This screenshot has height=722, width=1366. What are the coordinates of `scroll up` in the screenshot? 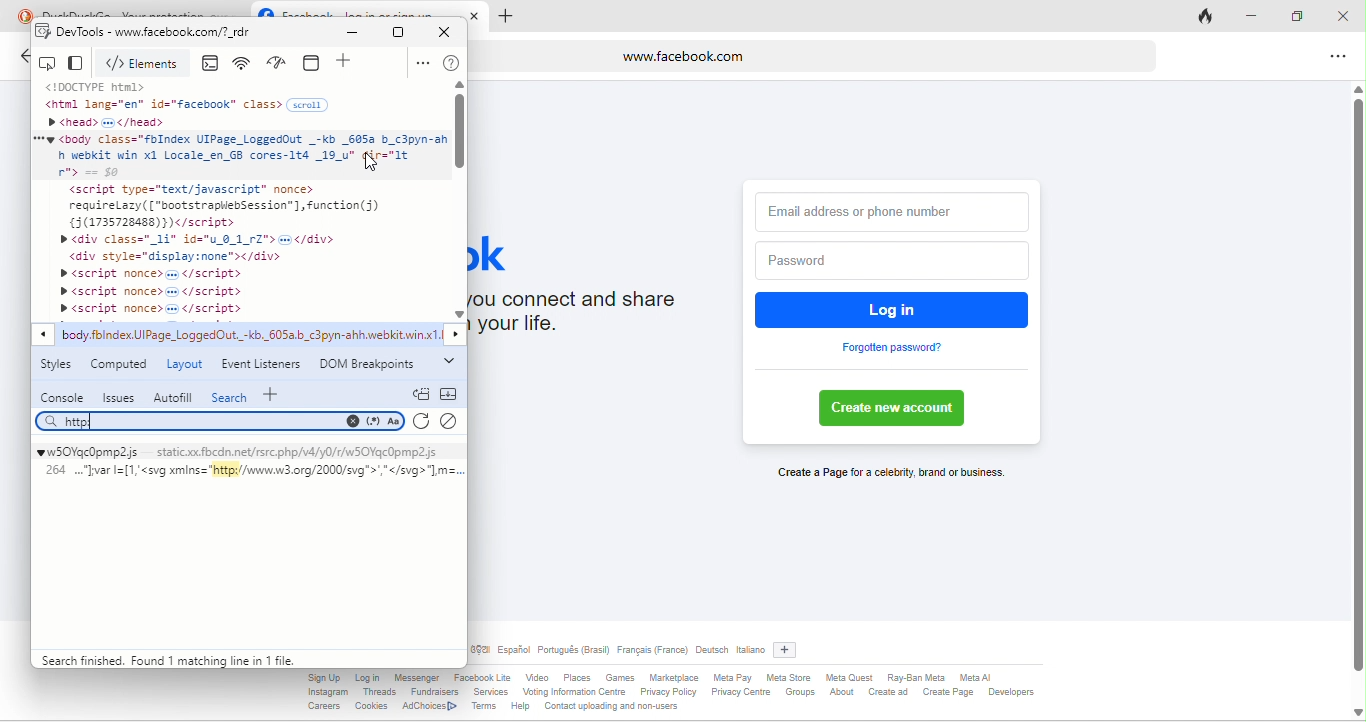 It's located at (1352, 86).